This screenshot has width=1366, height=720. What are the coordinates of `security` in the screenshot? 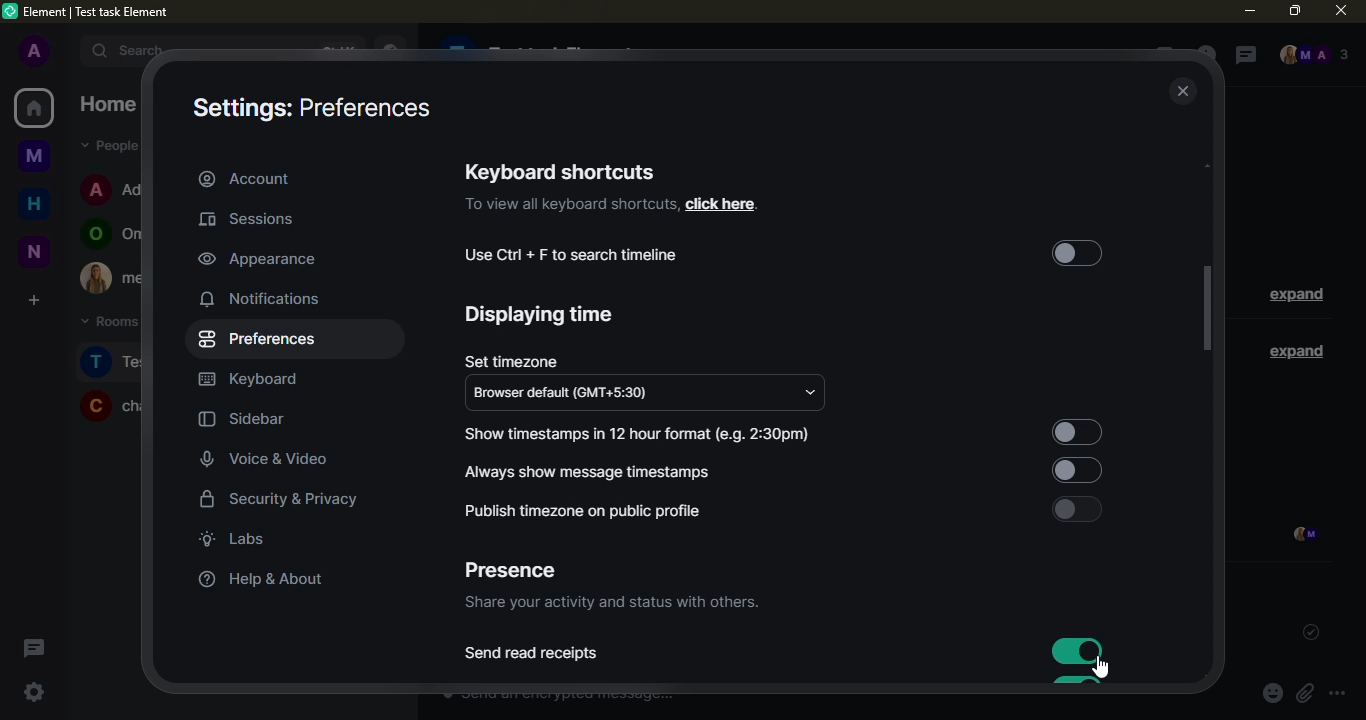 It's located at (280, 501).